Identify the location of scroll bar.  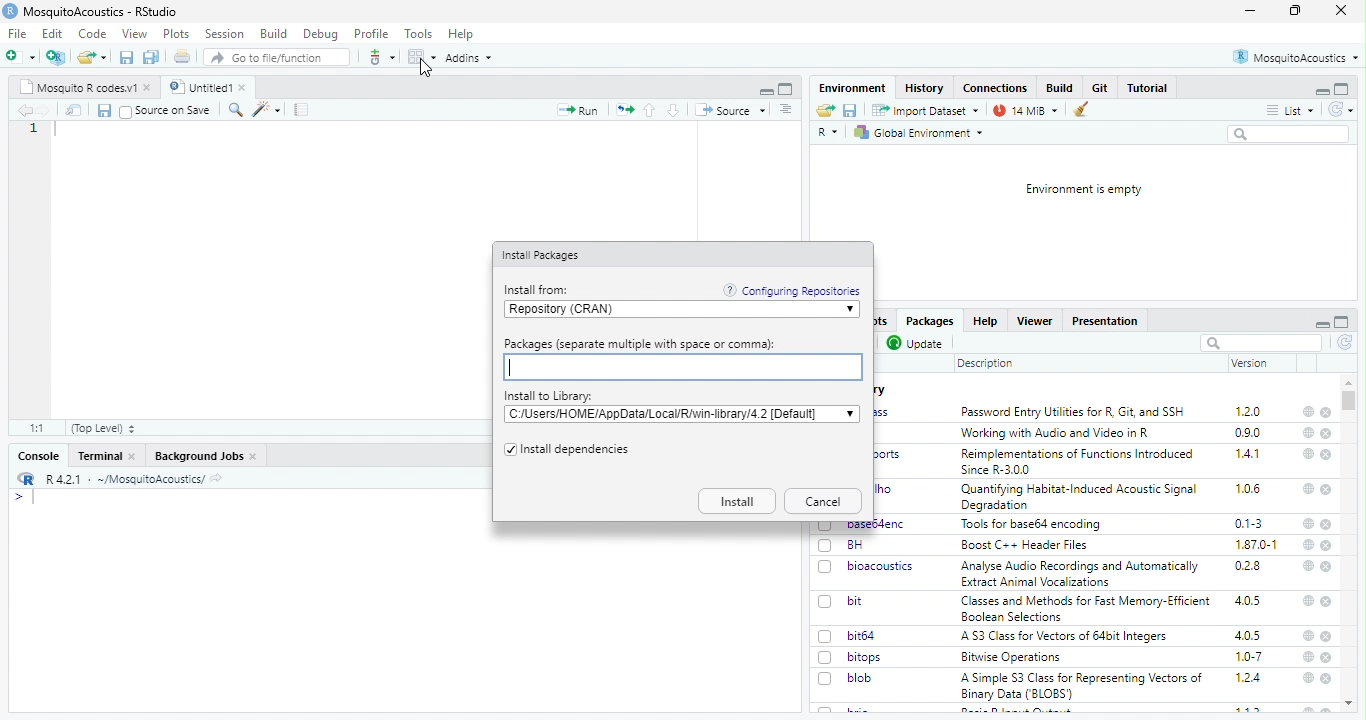
(1348, 401).